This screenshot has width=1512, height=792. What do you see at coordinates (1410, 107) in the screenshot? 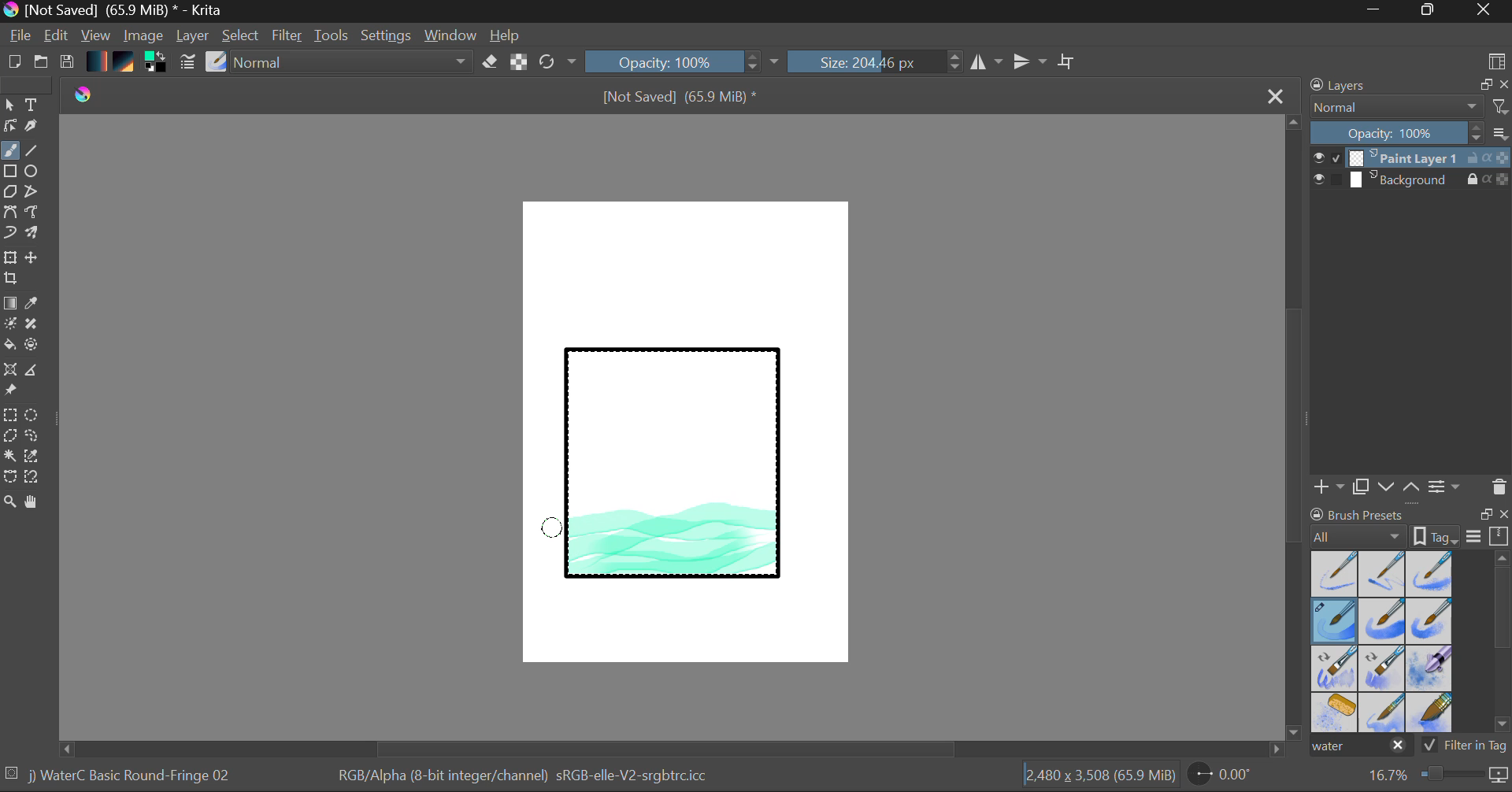
I see `Blending Mode` at bounding box center [1410, 107].